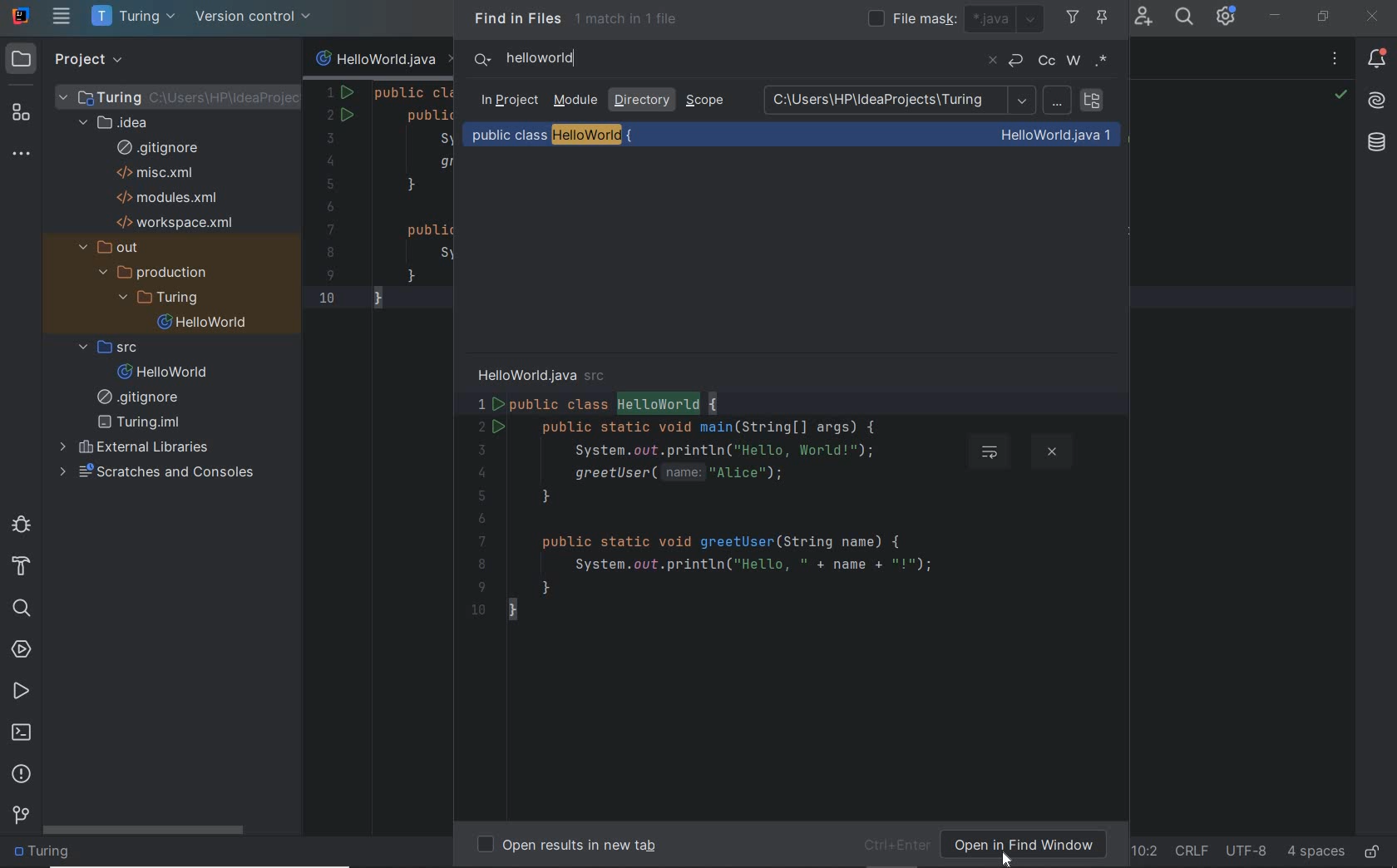  Describe the element at coordinates (913, 17) in the screenshot. I see `file mask` at that location.